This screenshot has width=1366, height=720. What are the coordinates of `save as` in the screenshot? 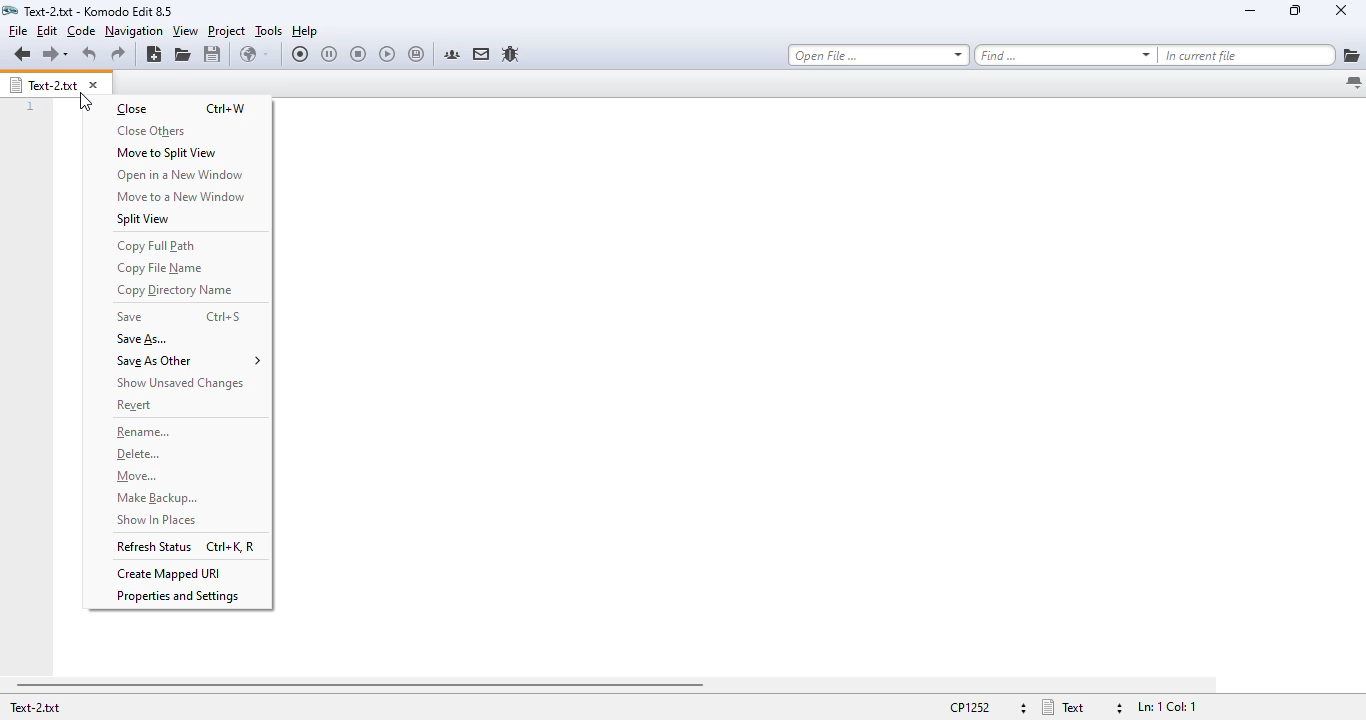 It's located at (144, 339).